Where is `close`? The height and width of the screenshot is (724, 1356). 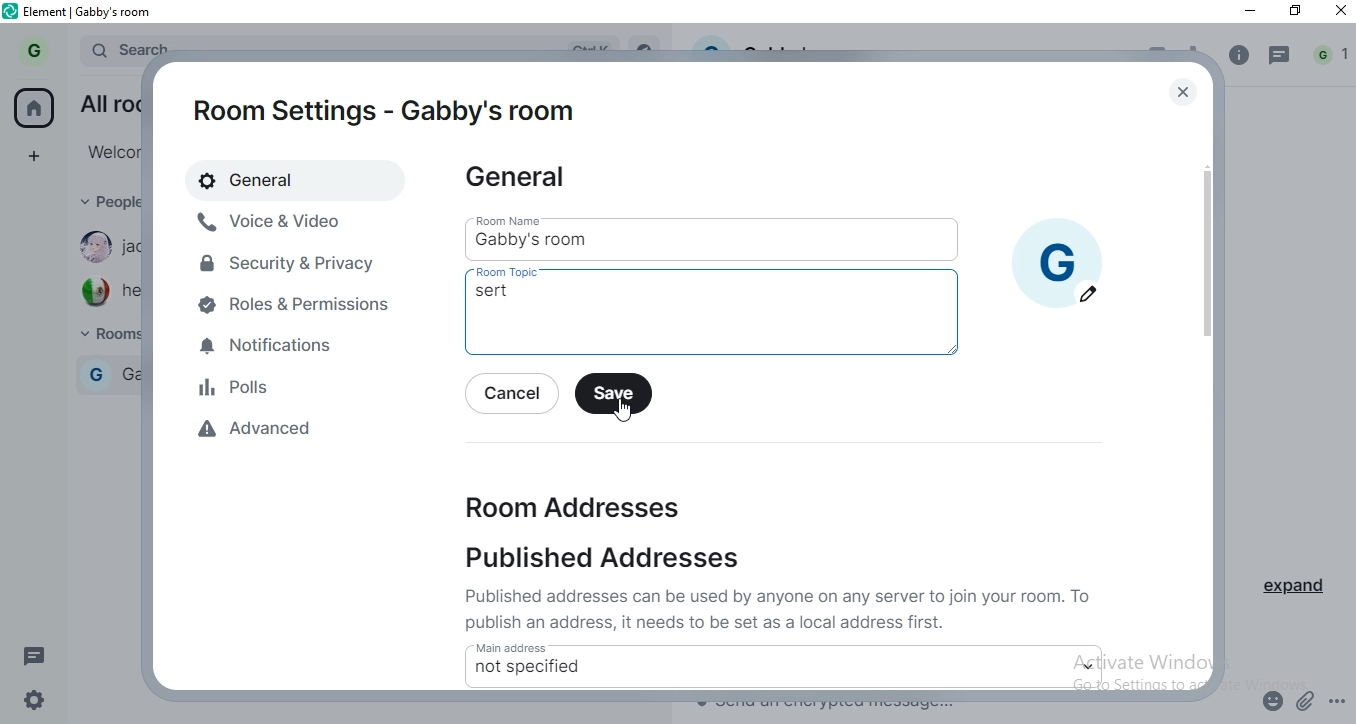
close is located at coordinates (1337, 15).